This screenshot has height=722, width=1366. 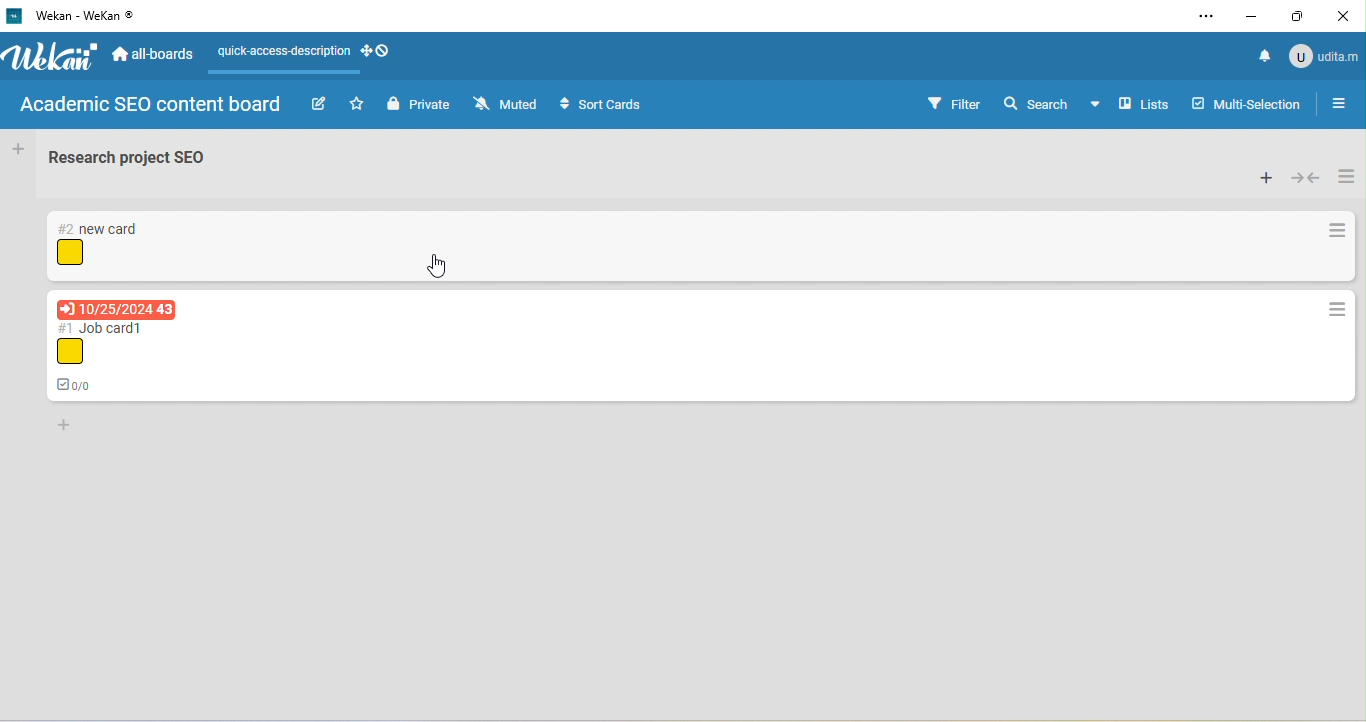 I want to click on list actions, so click(x=1346, y=174).